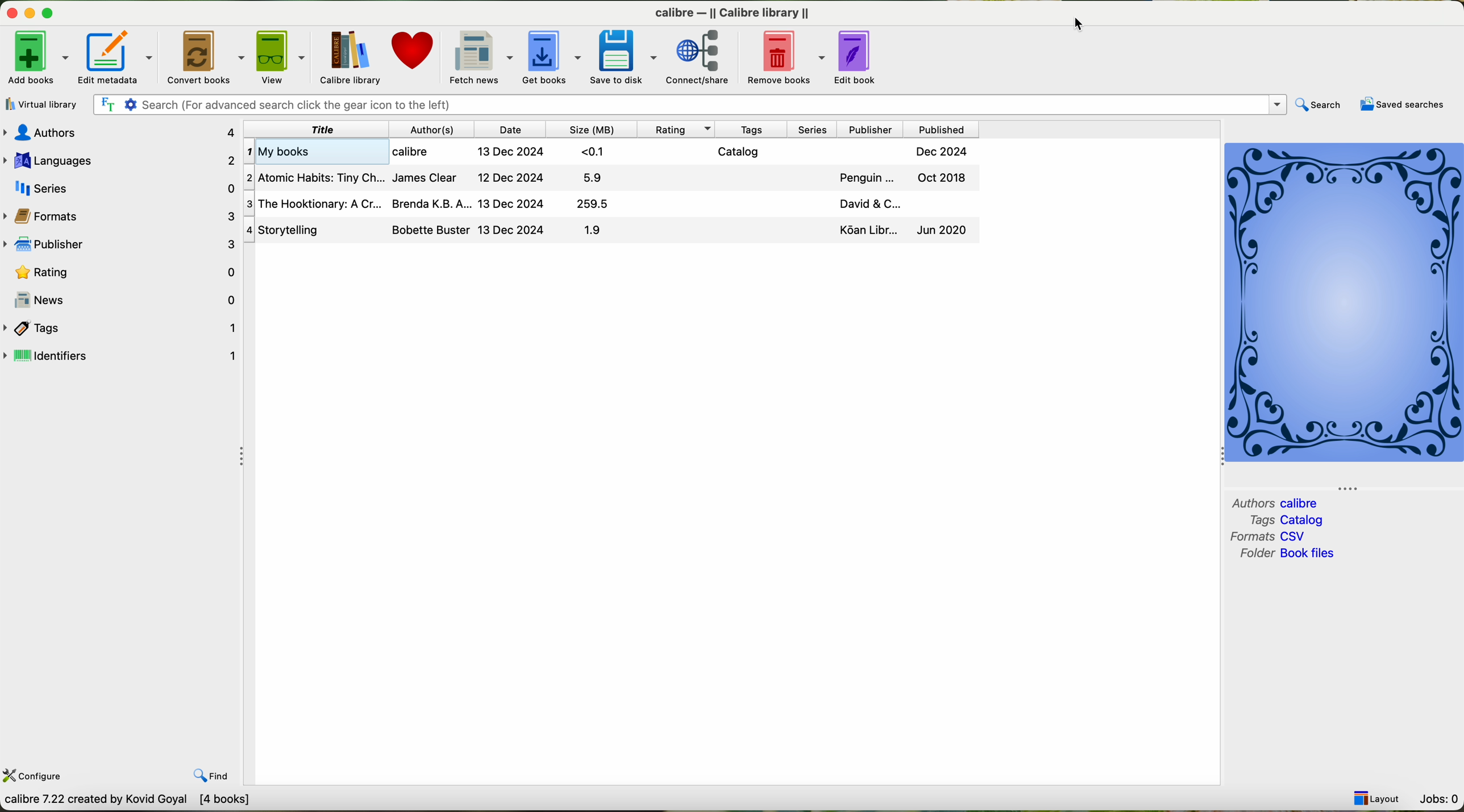 Image resolution: width=1464 pixels, height=812 pixels. What do you see at coordinates (1343, 302) in the screenshot?
I see `book cover preview` at bounding box center [1343, 302].